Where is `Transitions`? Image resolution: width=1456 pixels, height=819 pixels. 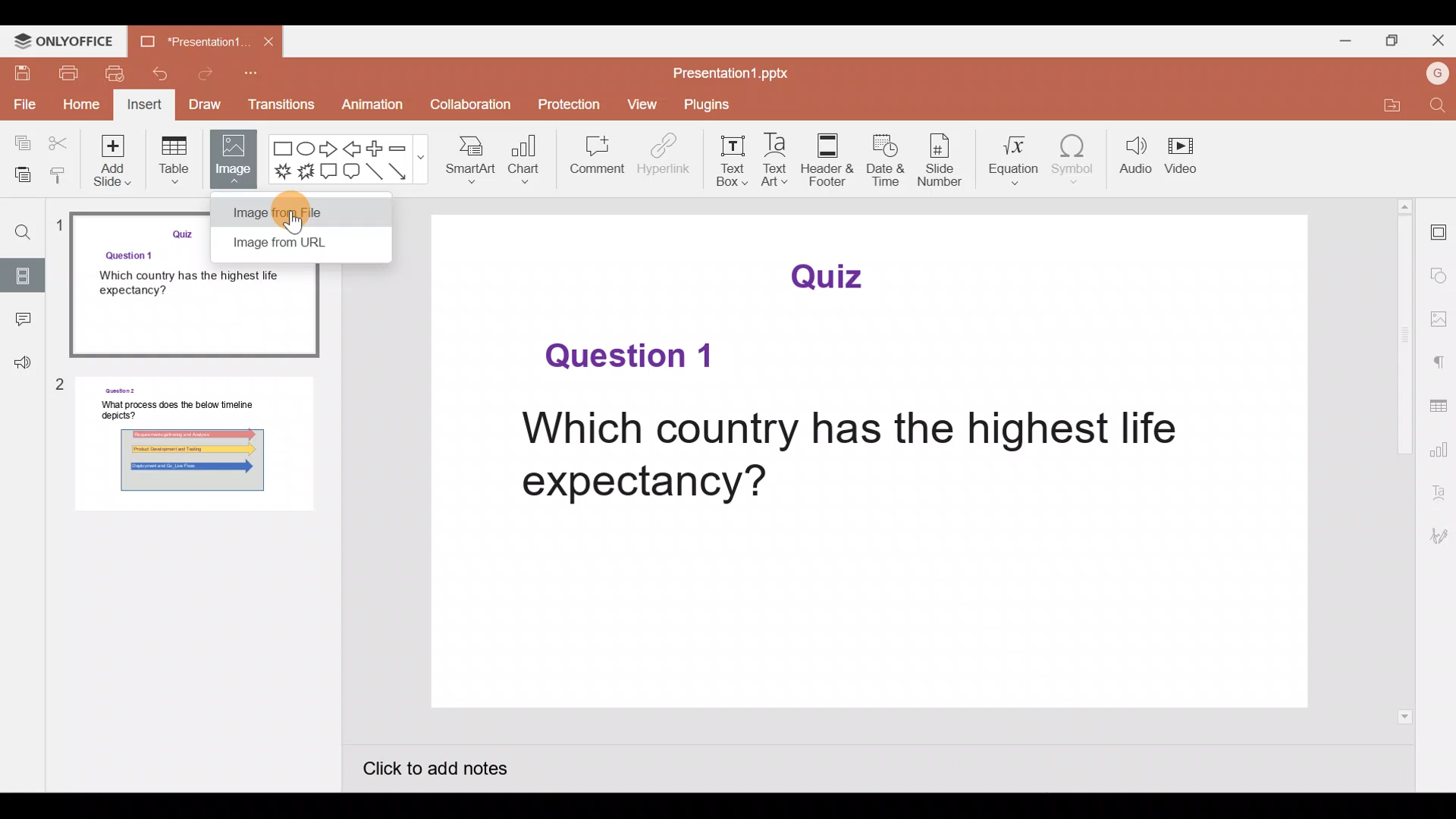
Transitions is located at coordinates (282, 105).